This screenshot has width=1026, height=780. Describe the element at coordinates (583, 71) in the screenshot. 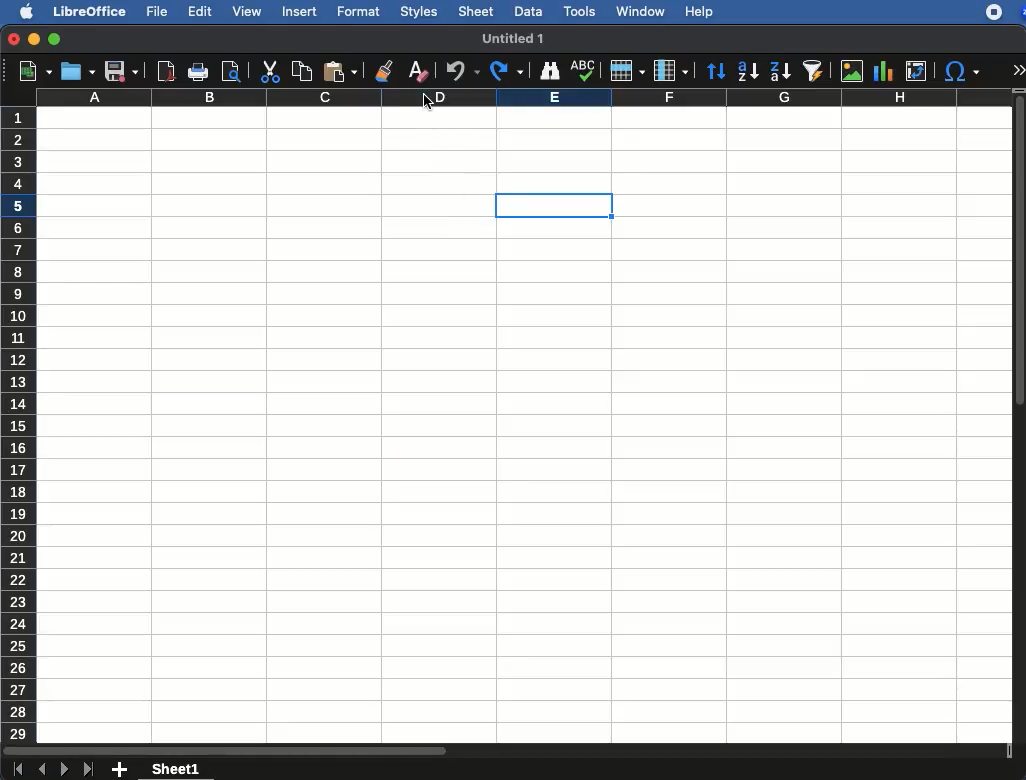

I see `spell check` at that location.